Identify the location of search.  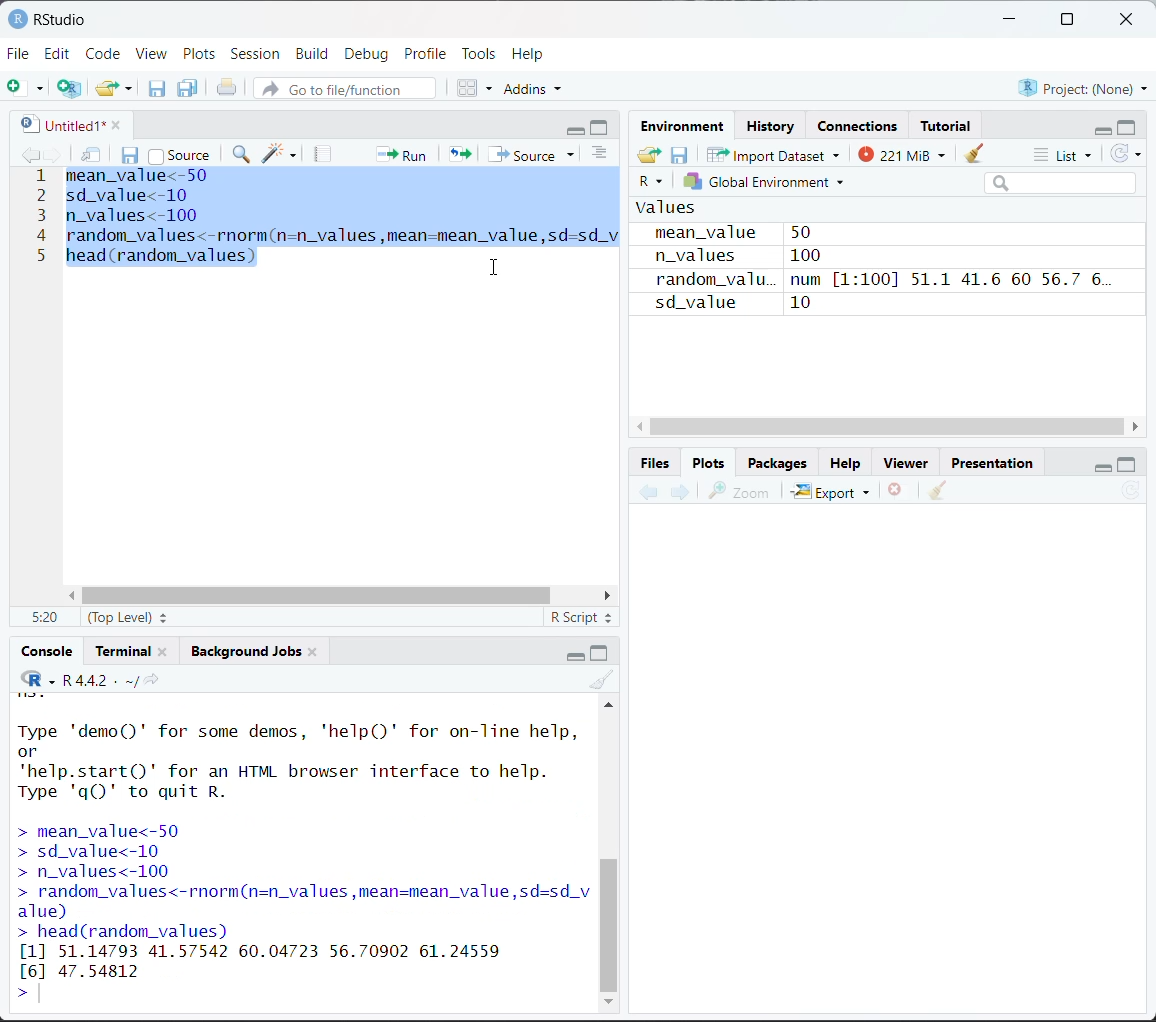
(1060, 182).